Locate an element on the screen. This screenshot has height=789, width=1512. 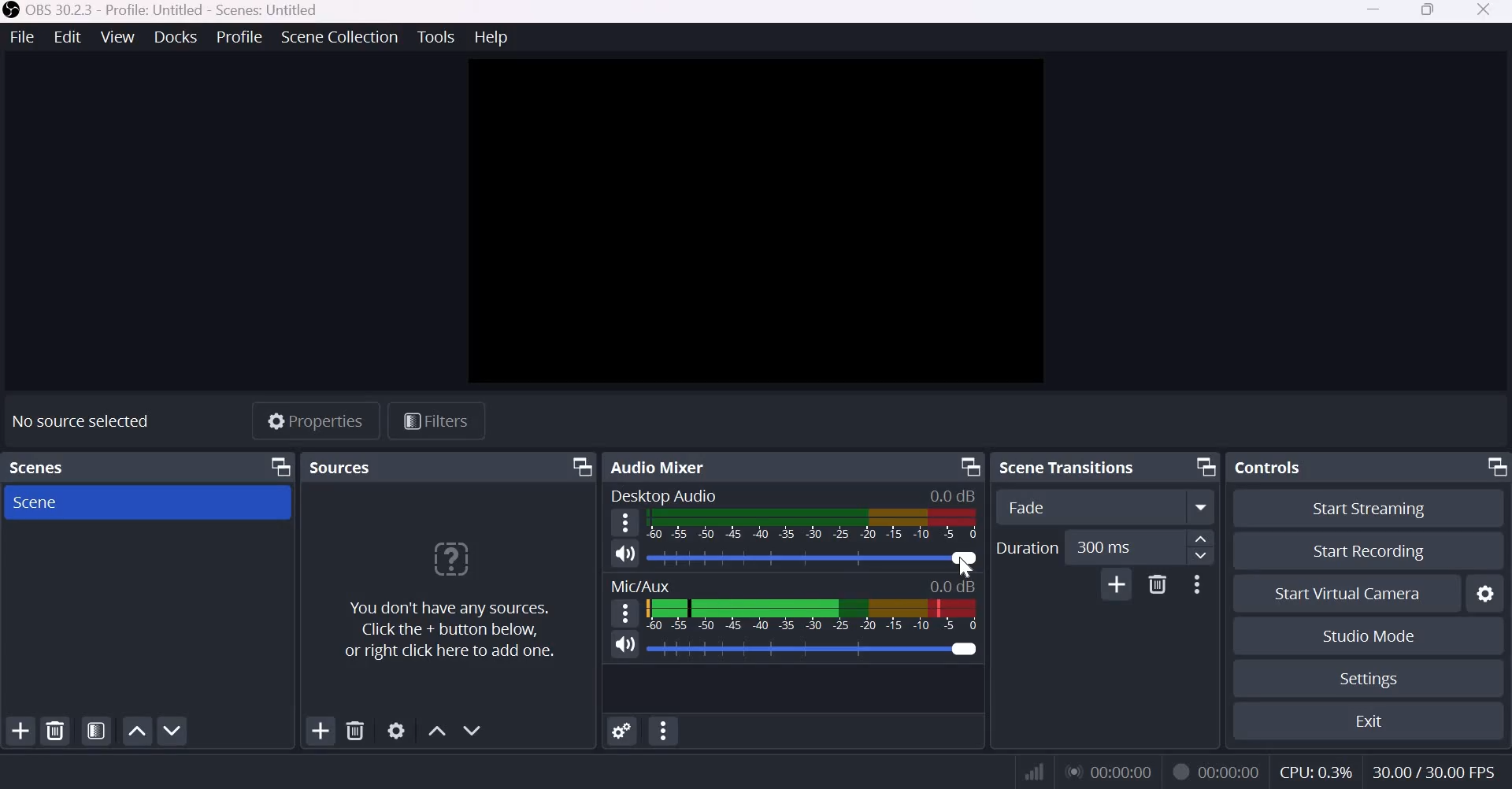
Profile is located at coordinates (241, 37).